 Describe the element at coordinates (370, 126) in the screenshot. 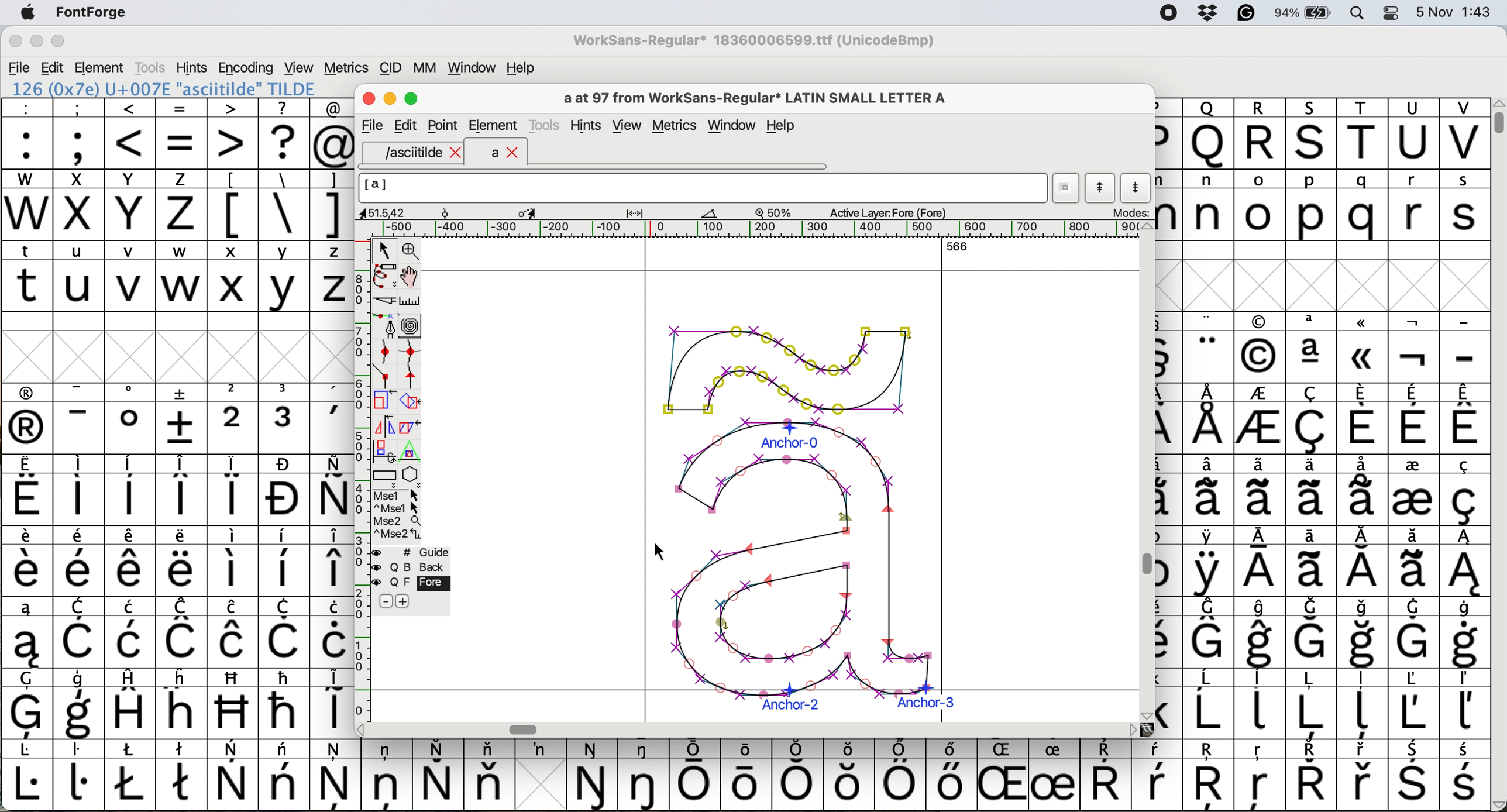

I see `file` at that location.